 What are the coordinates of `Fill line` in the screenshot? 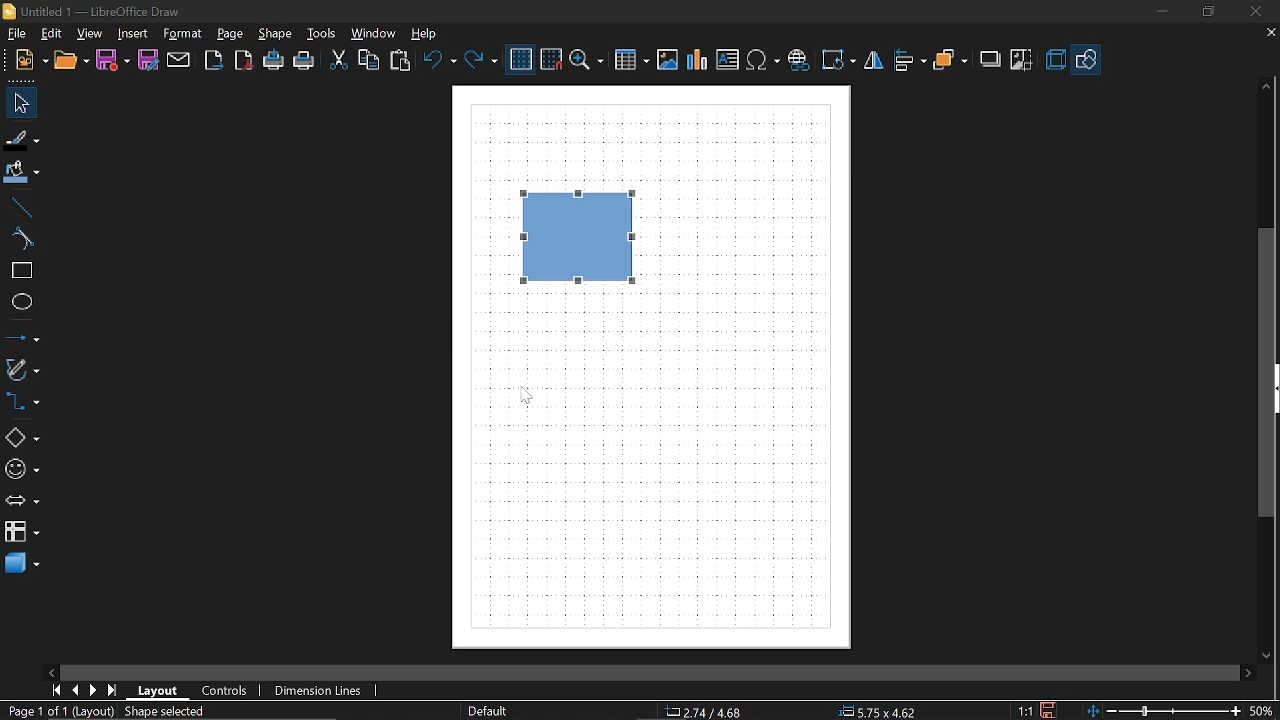 It's located at (23, 140).